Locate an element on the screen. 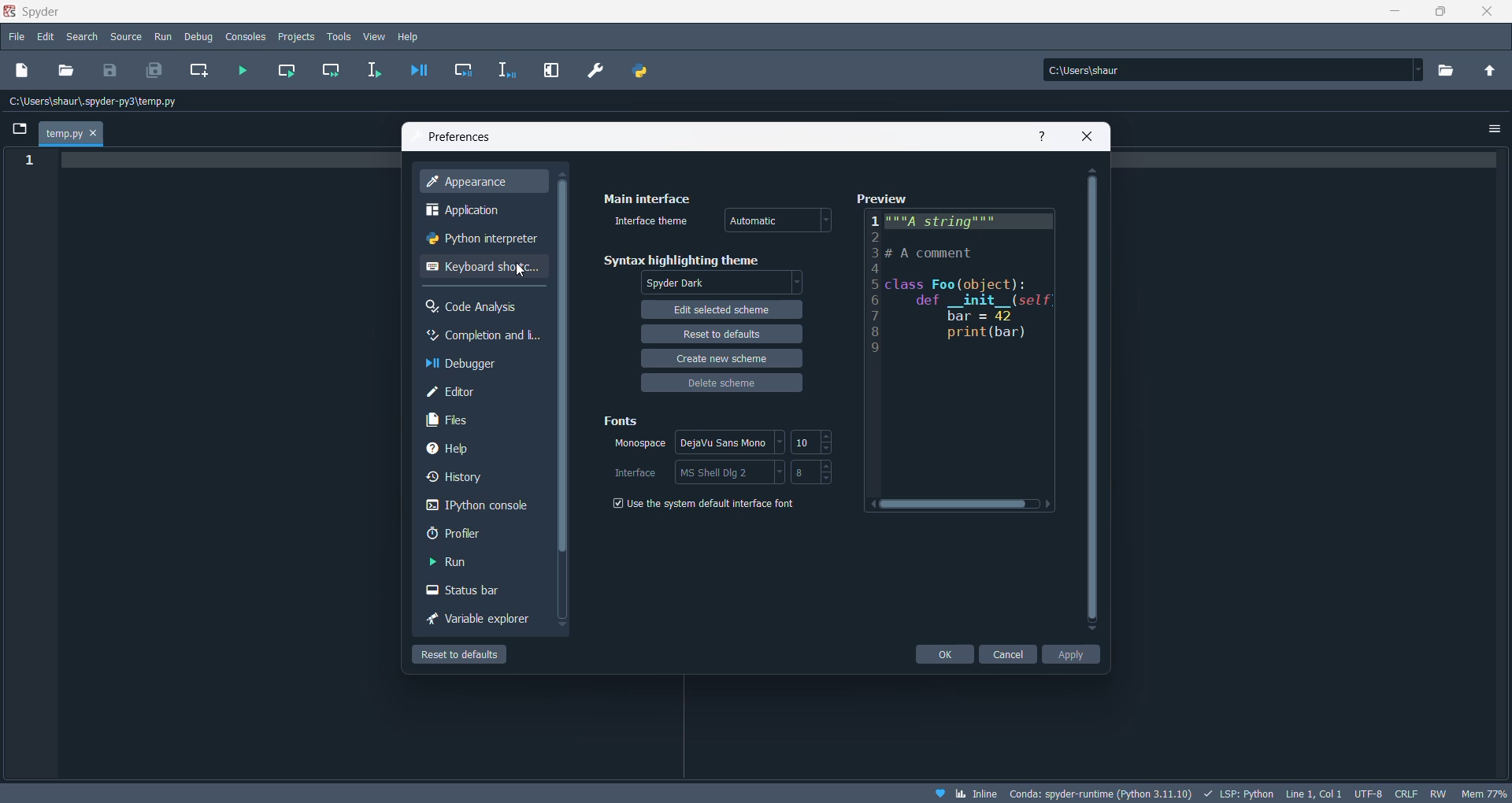 The height and width of the screenshot is (803, 1512). create new scheme is located at coordinates (724, 359).